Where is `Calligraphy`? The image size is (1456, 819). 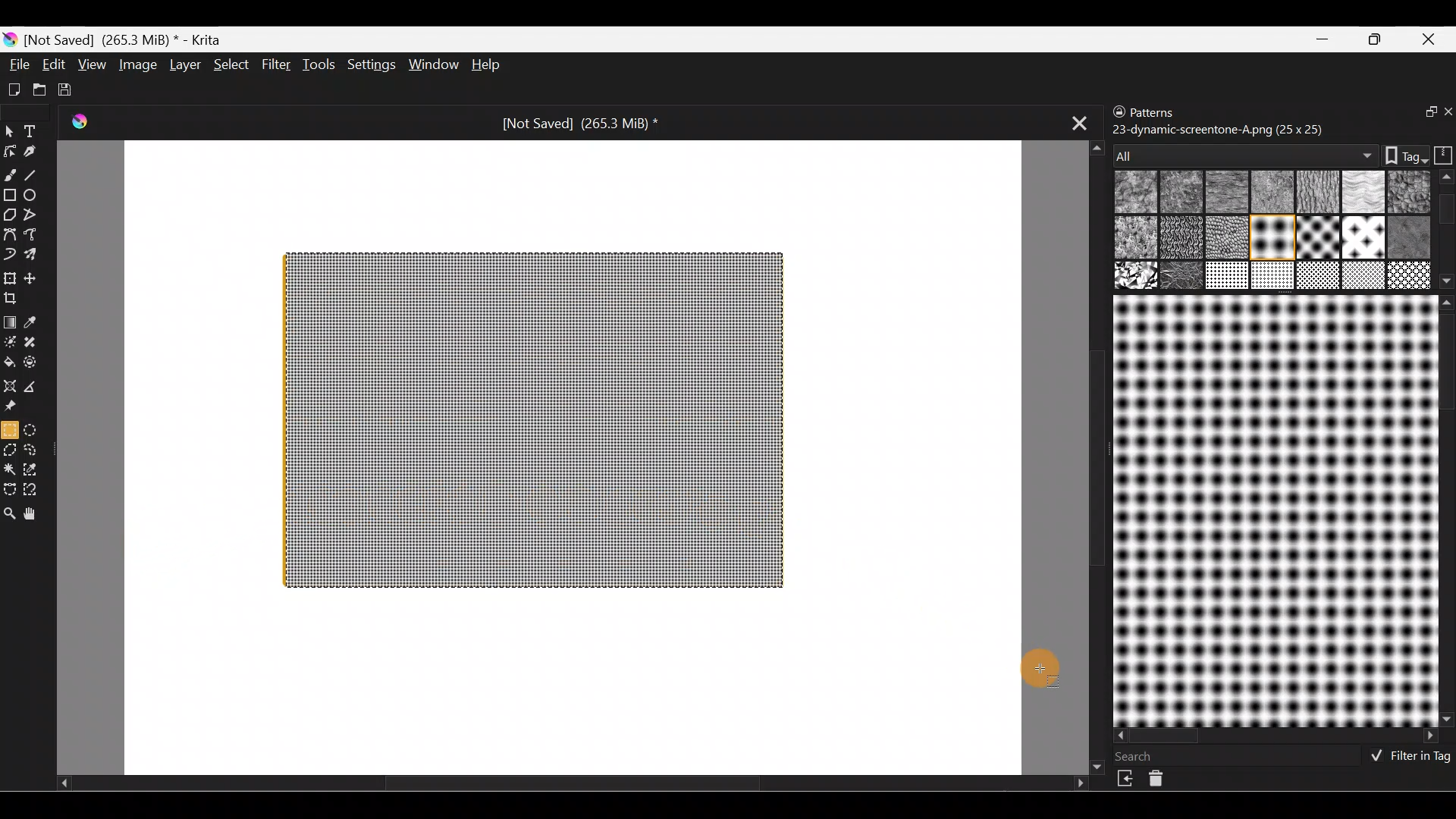
Calligraphy is located at coordinates (33, 151).